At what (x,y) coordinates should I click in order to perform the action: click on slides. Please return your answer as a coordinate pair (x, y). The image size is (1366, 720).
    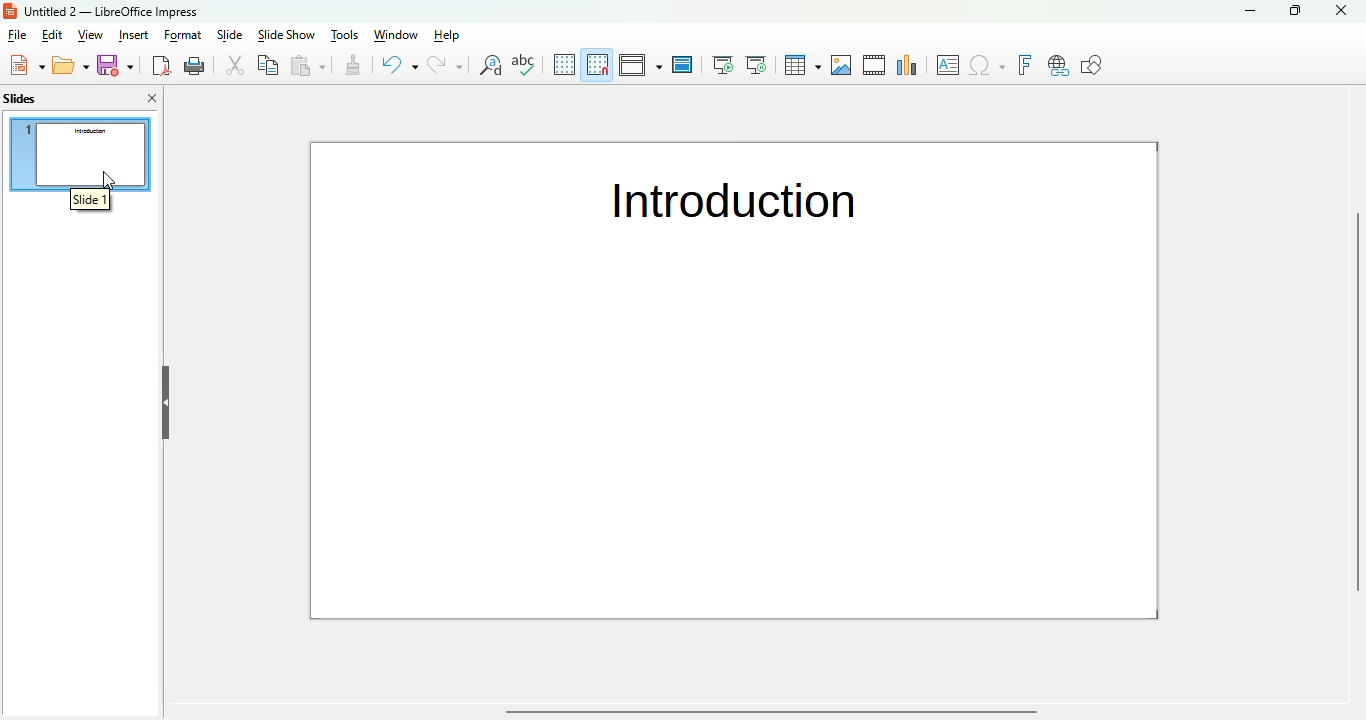
    Looking at the image, I should click on (20, 98).